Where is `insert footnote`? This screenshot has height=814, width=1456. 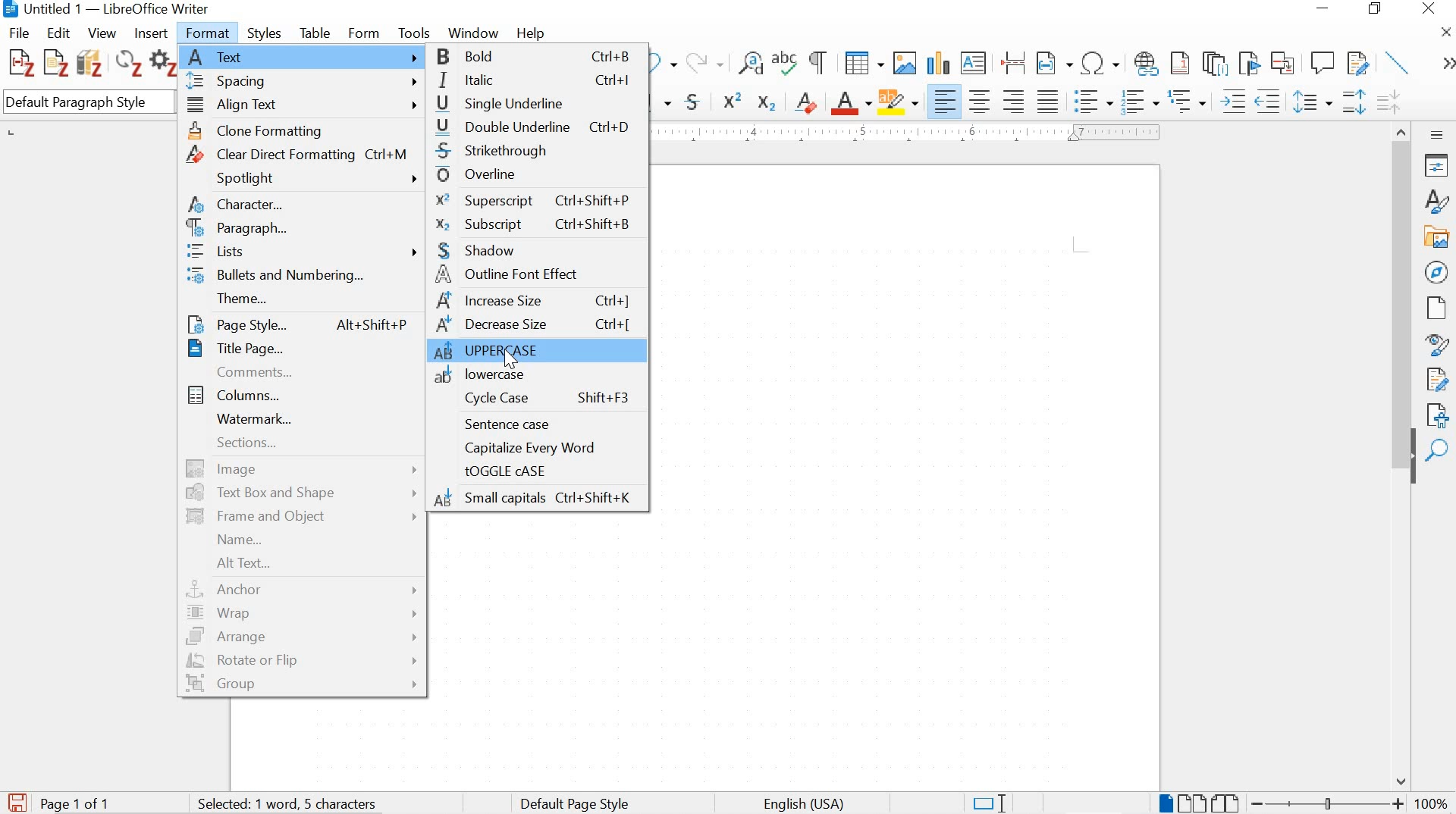
insert footnote is located at coordinates (1147, 64).